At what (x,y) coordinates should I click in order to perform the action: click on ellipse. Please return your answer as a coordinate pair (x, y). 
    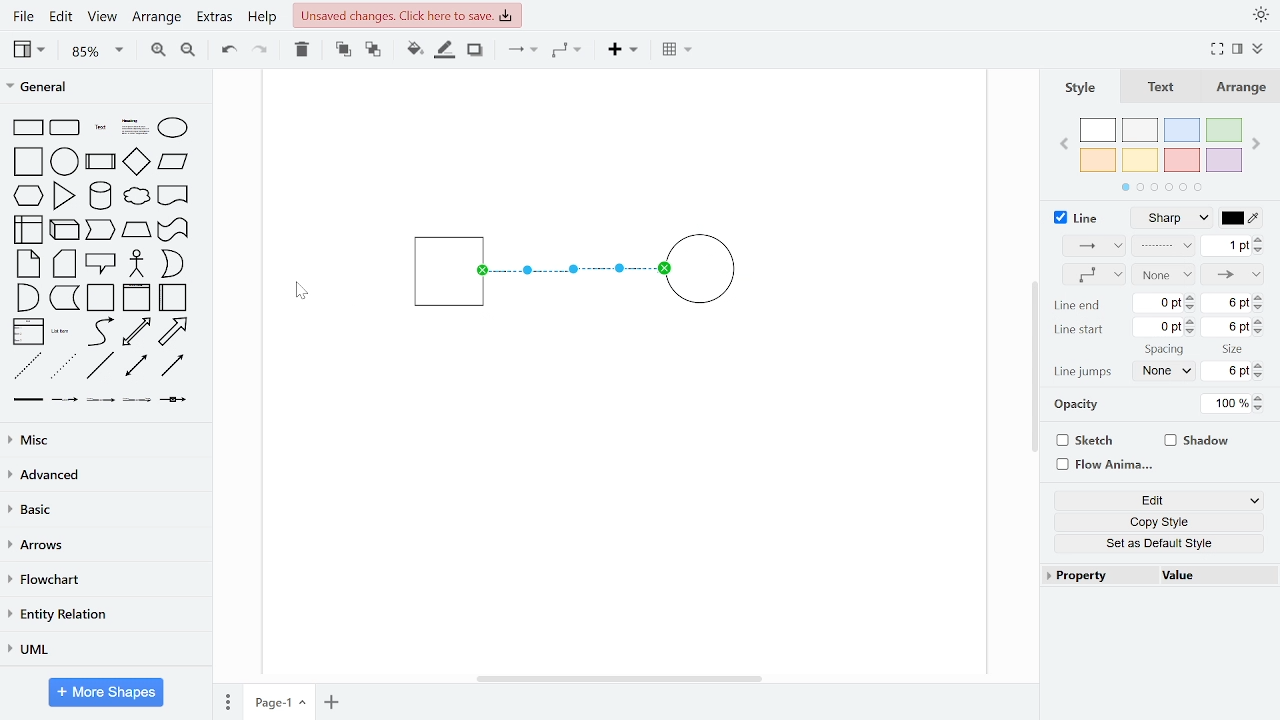
    Looking at the image, I should click on (177, 129).